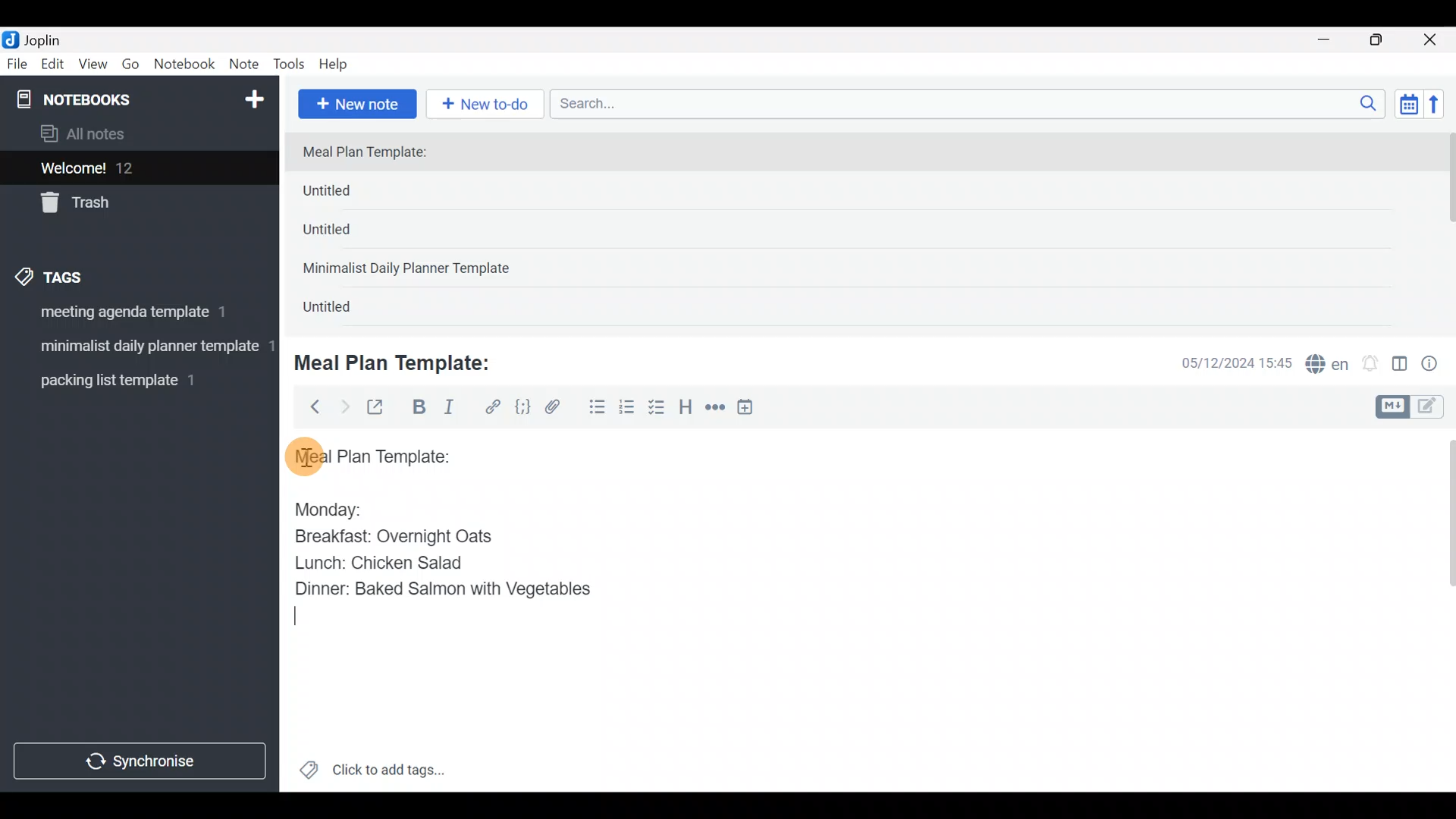  What do you see at coordinates (493, 407) in the screenshot?
I see `Hyperlink` at bounding box center [493, 407].